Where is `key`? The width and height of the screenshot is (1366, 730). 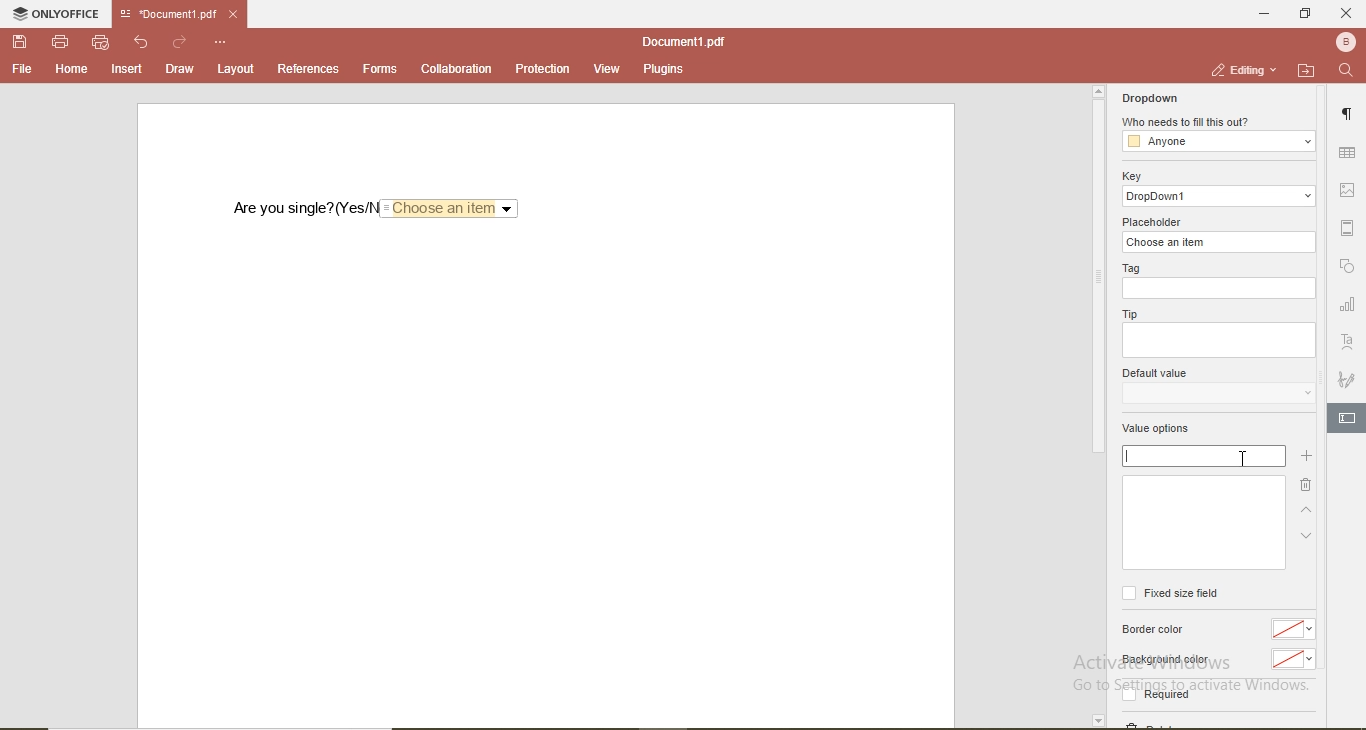
key is located at coordinates (1135, 176).